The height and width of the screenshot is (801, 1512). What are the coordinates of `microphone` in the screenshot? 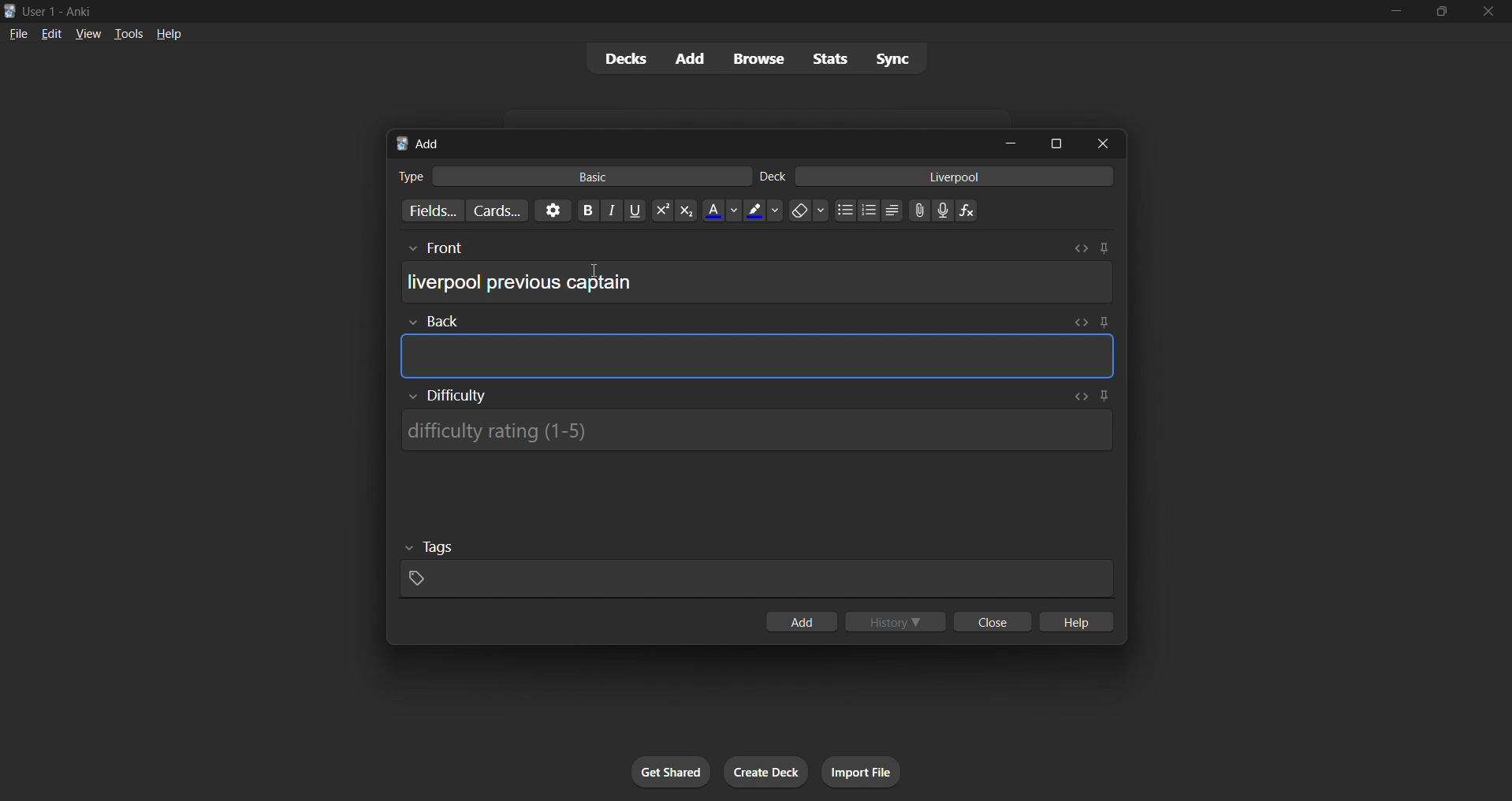 It's located at (944, 211).